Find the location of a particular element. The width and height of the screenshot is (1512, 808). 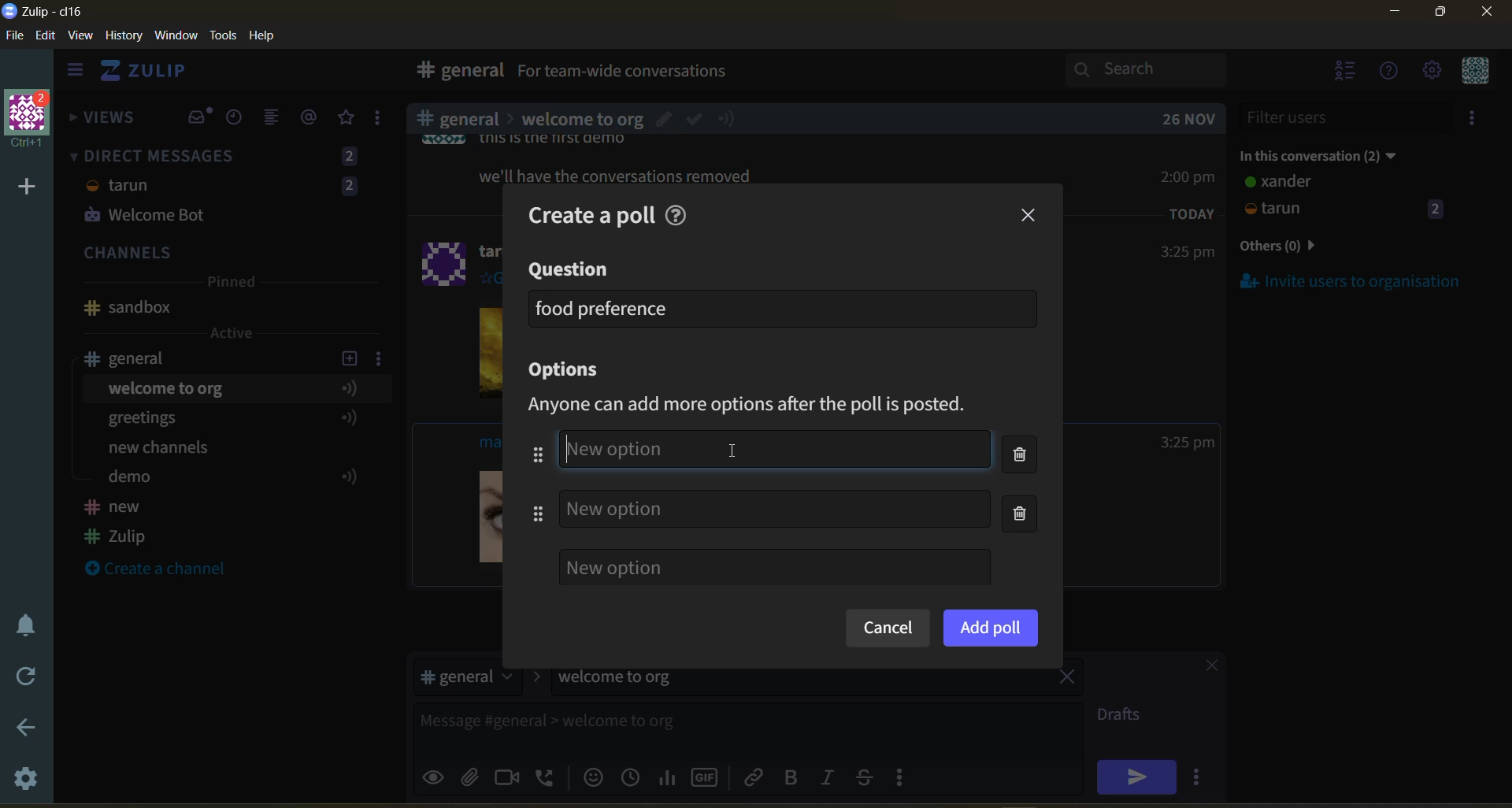

inbox is located at coordinates (199, 117).